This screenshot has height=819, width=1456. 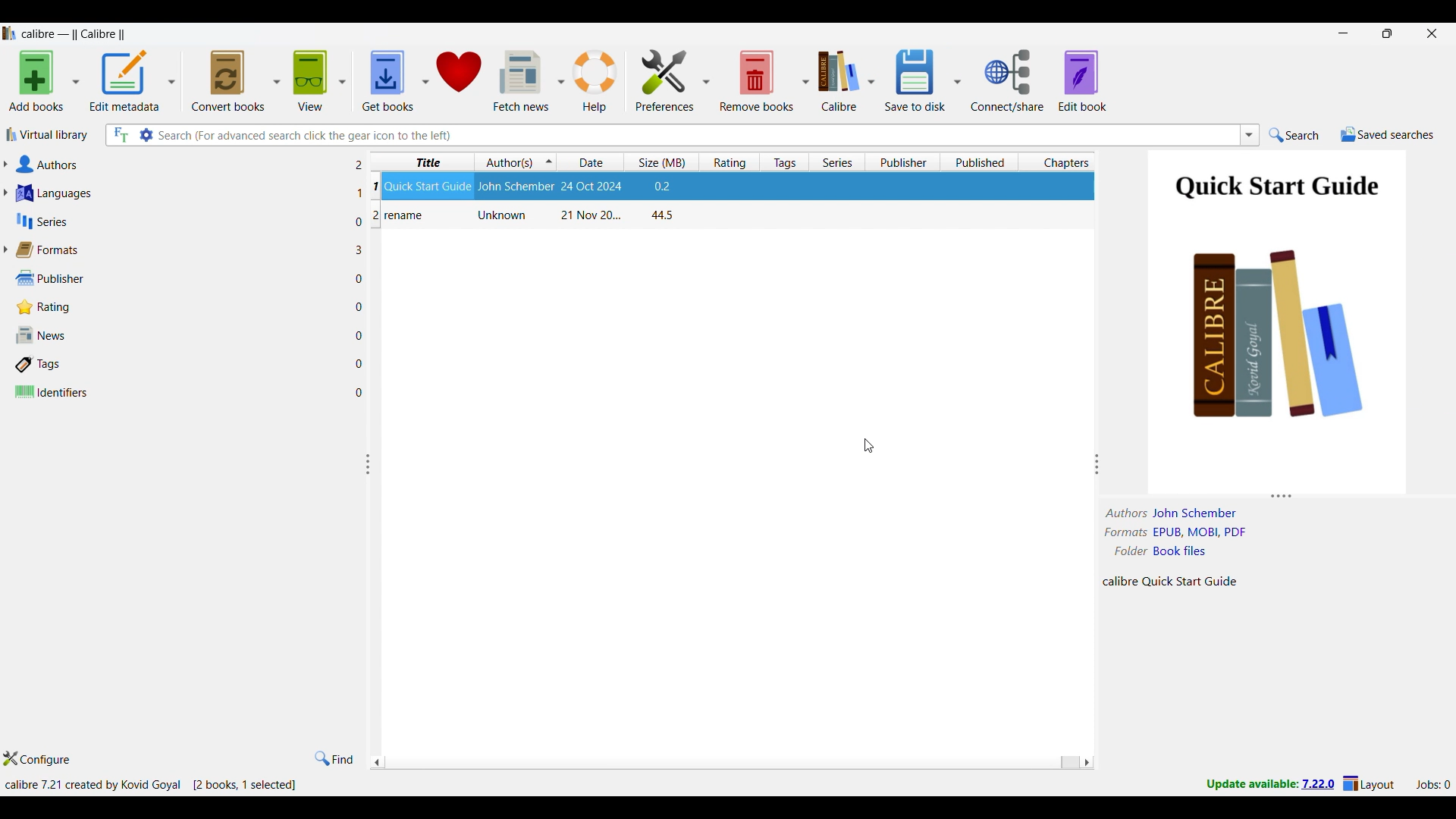 What do you see at coordinates (764, 80) in the screenshot?
I see `Remove options` at bounding box center [764, 80].